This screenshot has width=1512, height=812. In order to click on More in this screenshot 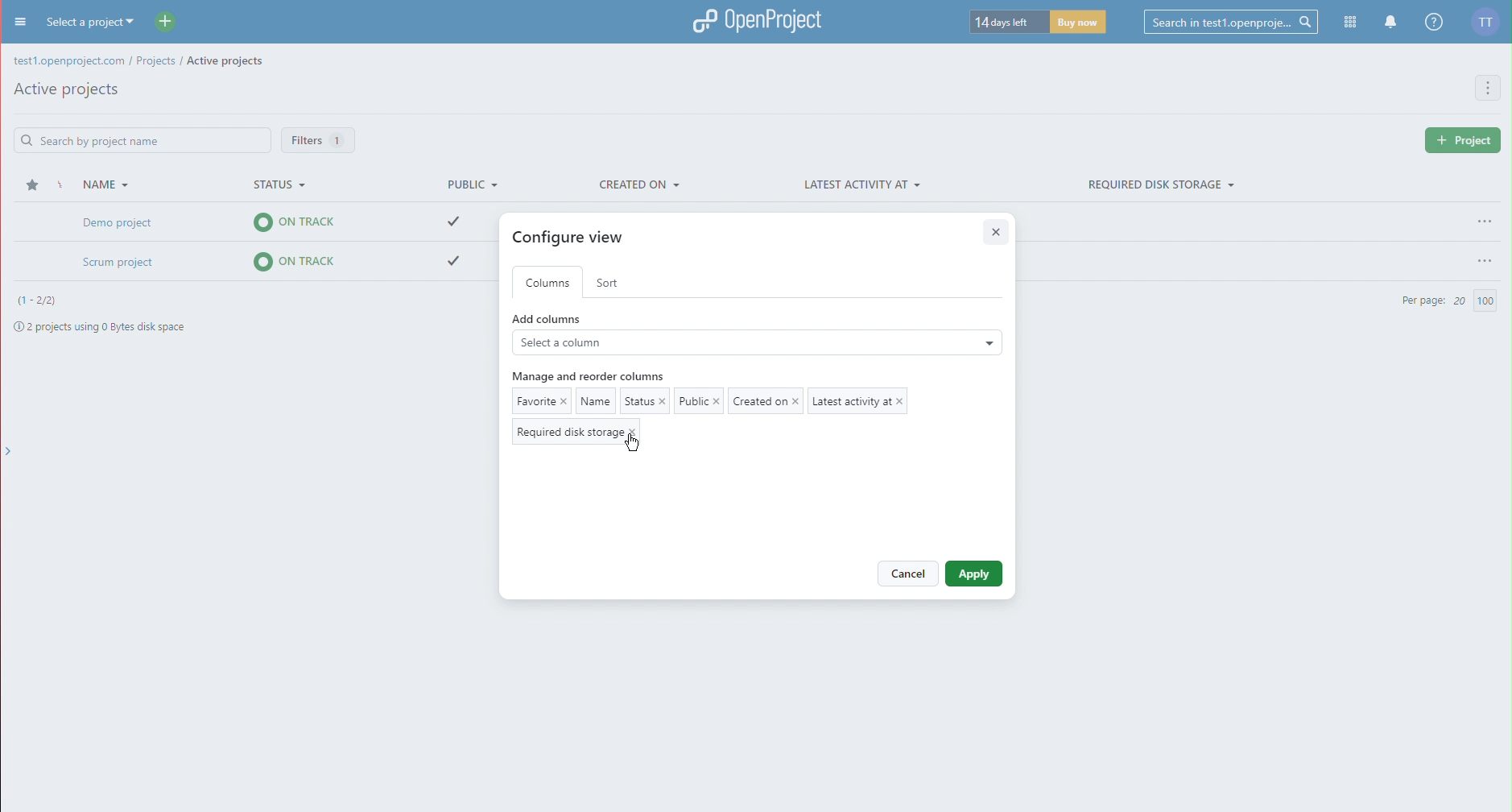, I will do `click(1489, 88)`.